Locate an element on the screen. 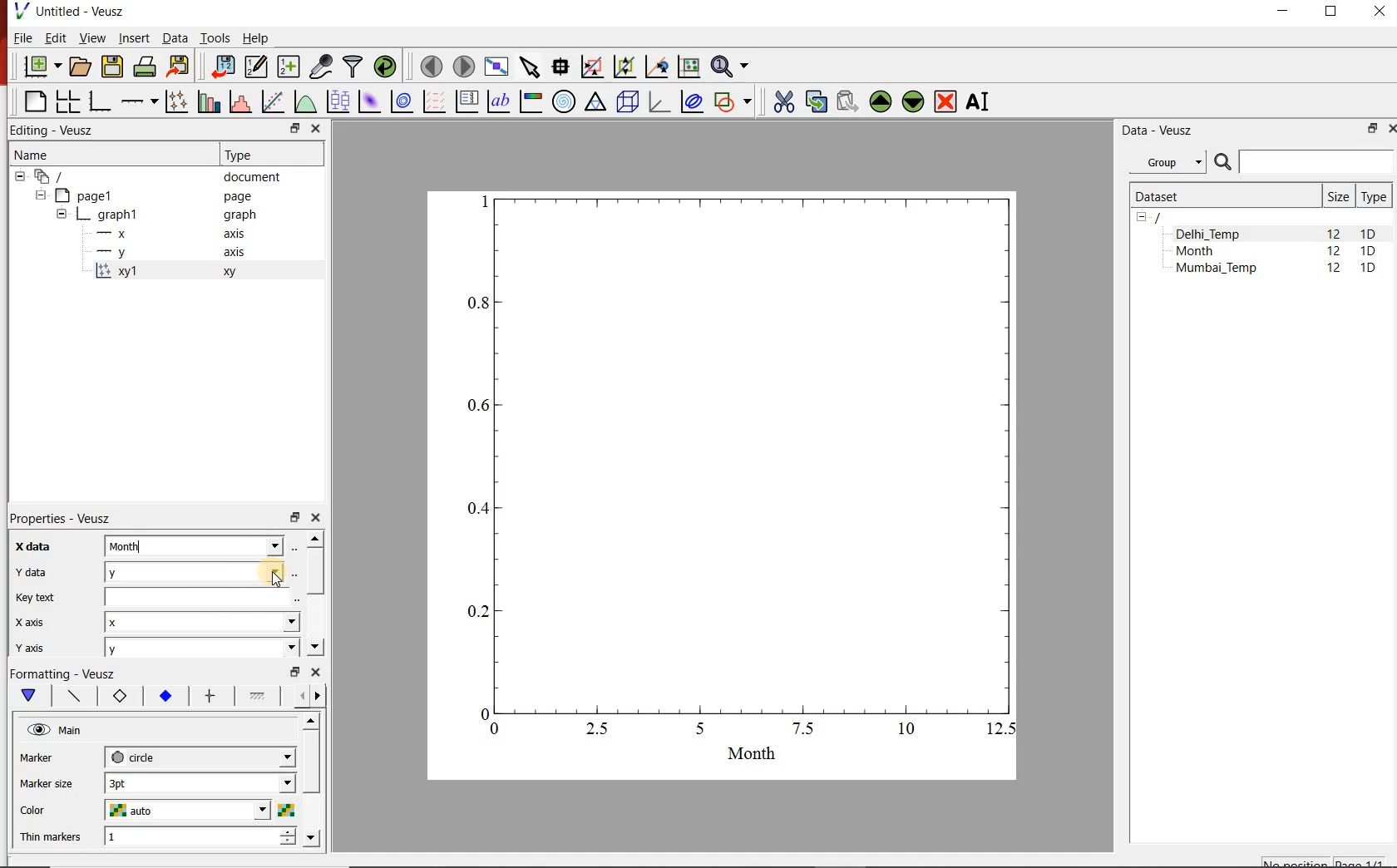  Main is located at coordinates (57, 730).